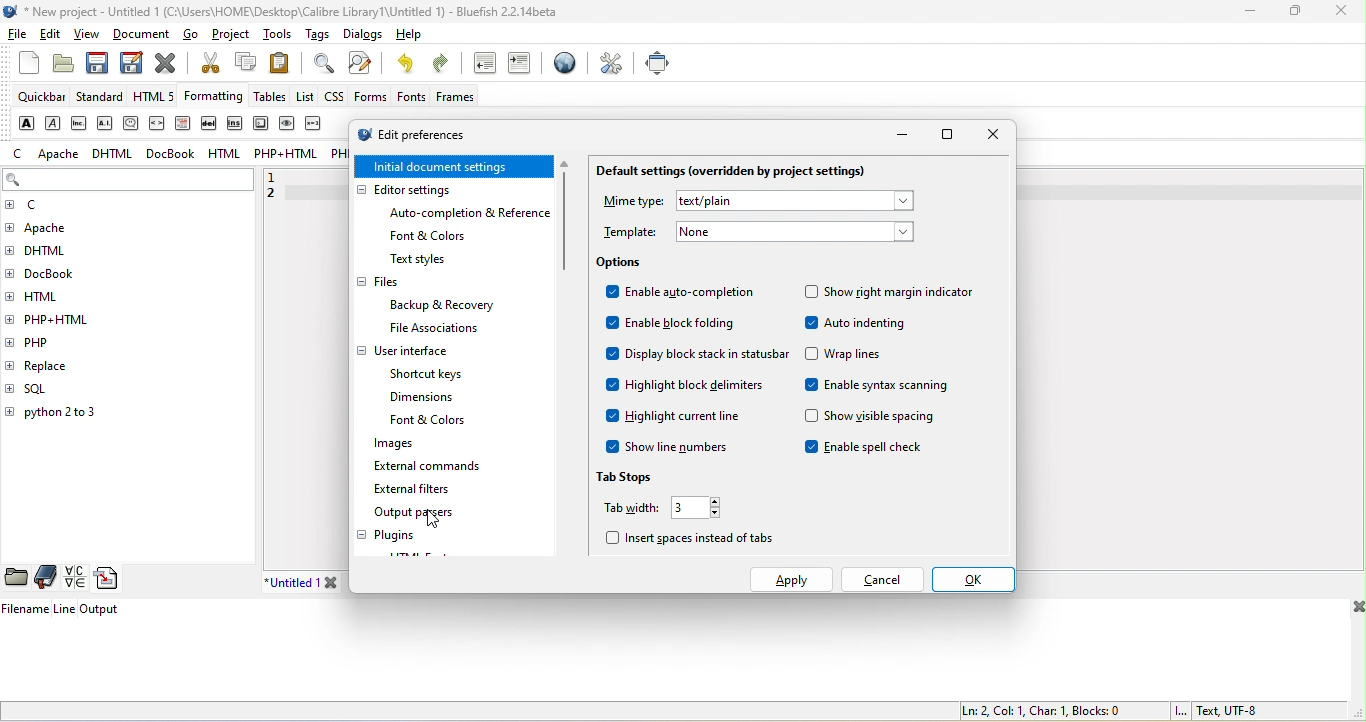 This screenshot has width=1366, height=722. Describe the element at coordinates (107, 123) in the screenshot. I see `acronym` at that location.